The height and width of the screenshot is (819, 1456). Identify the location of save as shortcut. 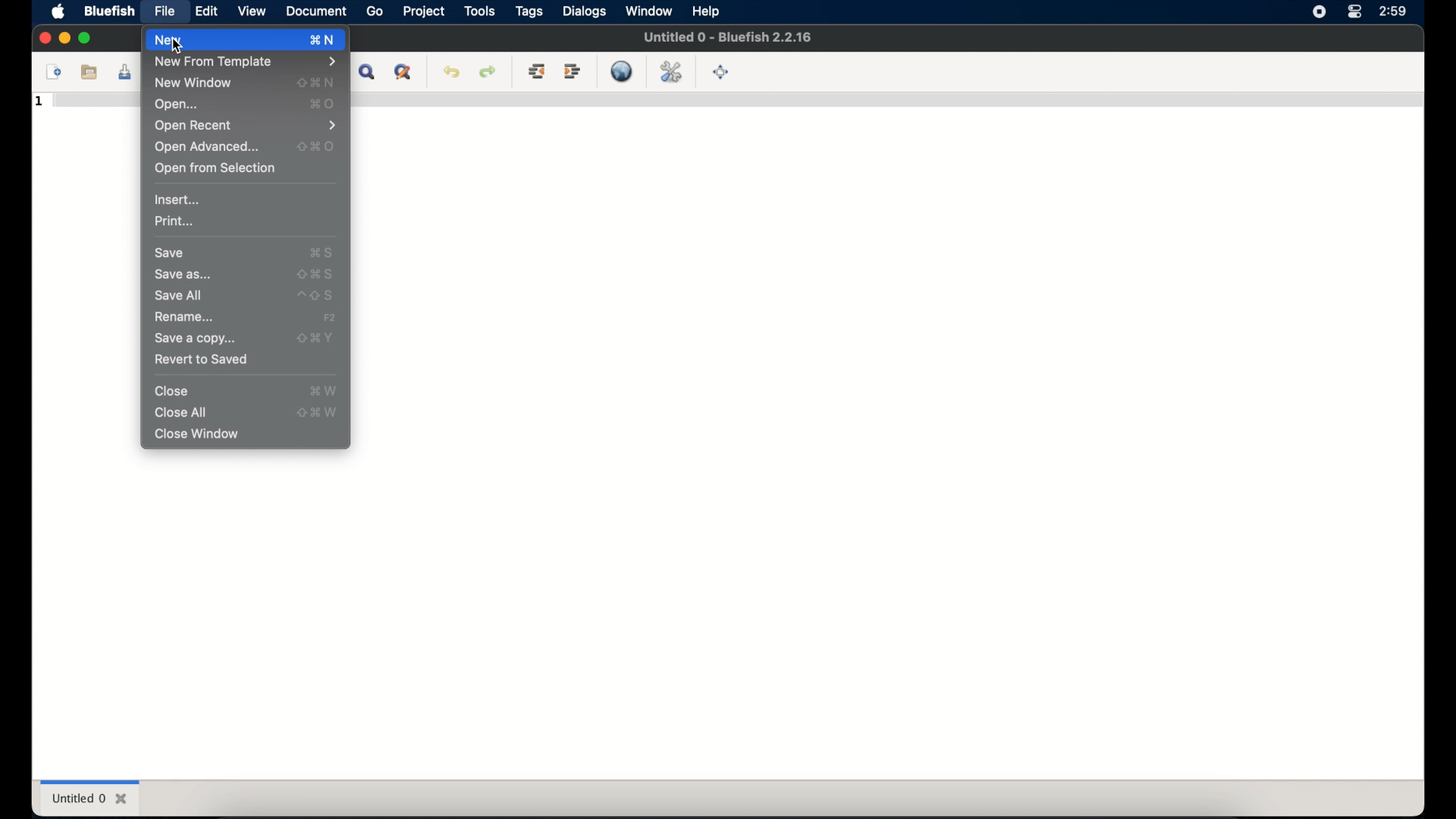
(315, 274).